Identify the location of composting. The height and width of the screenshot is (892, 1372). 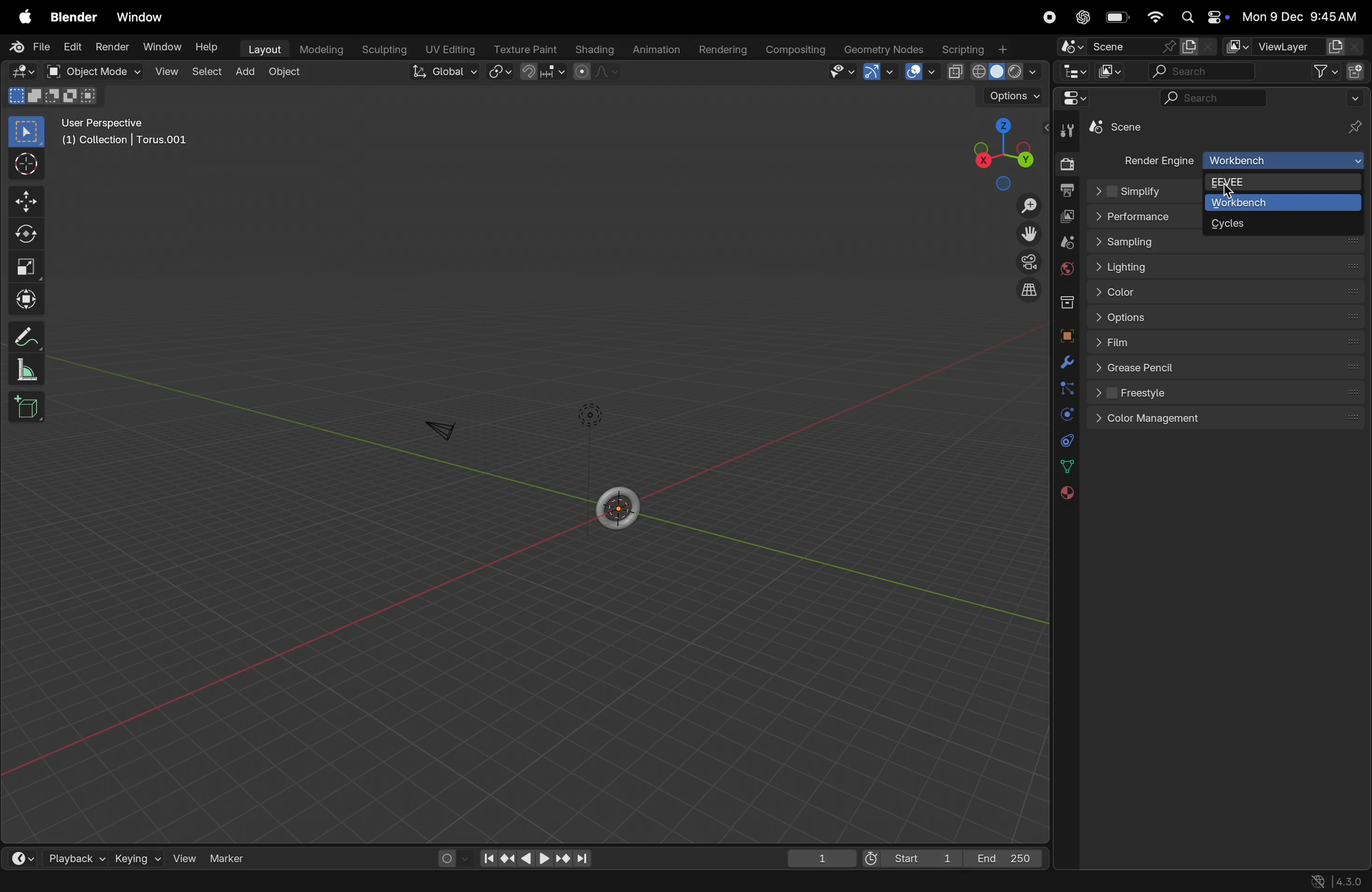
(797, 50).